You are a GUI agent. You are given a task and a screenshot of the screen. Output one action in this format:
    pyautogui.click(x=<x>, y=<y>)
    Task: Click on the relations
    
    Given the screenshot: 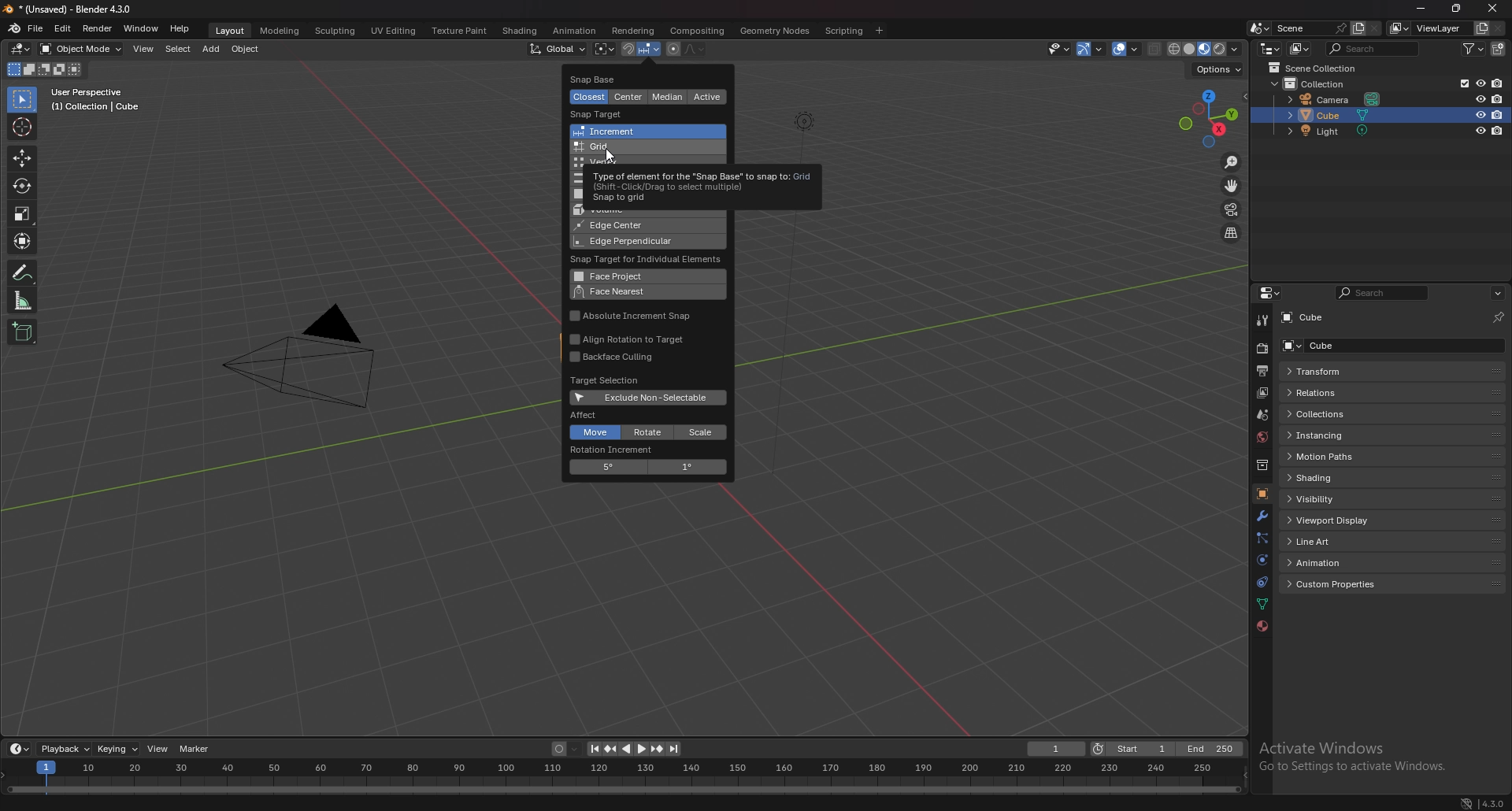 What is the action you would take?
    pyautogui.click(x=1328, y=393)
    